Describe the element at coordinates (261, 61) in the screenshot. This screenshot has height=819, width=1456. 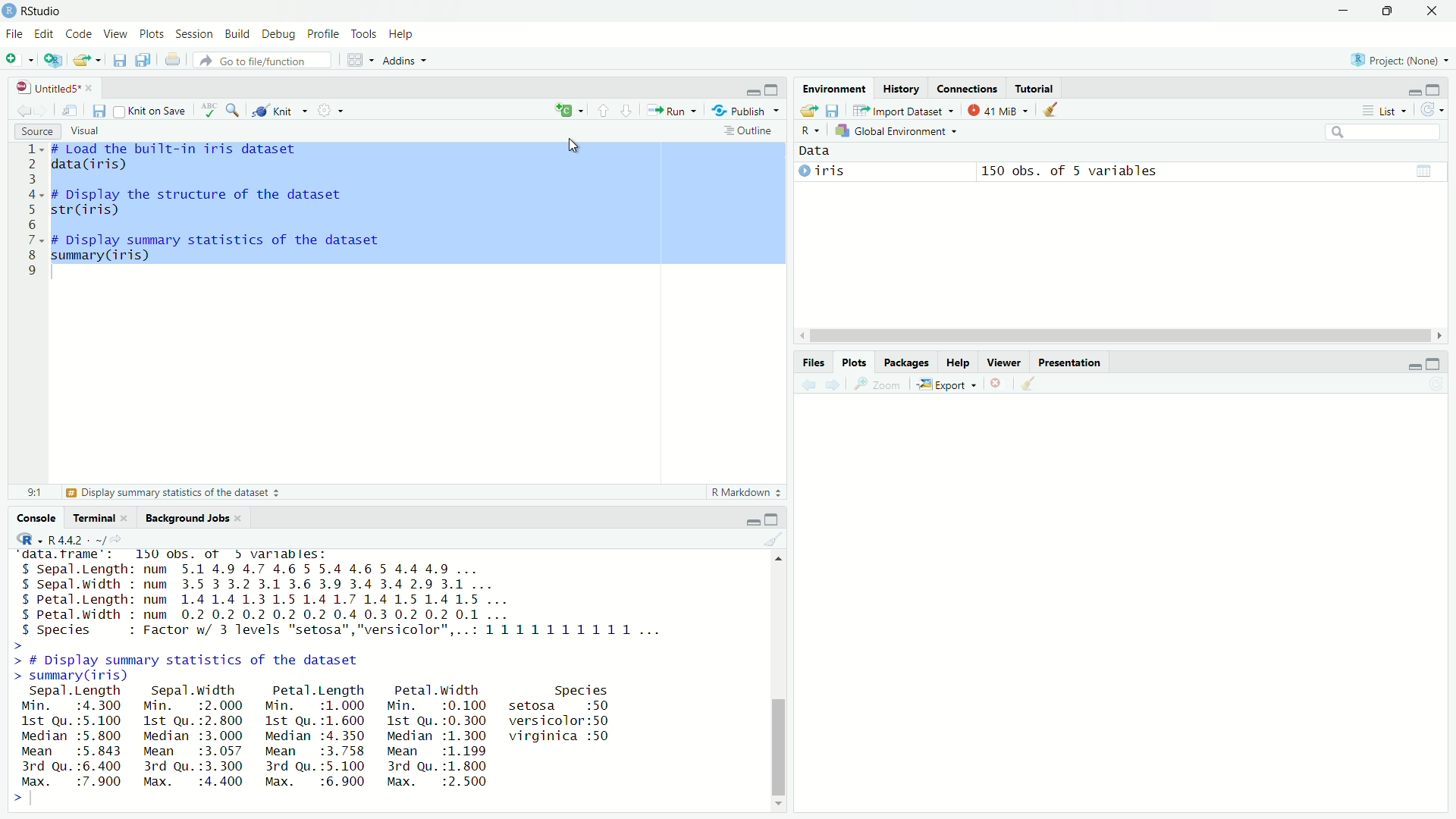
I see `Go to file/function` at that location.